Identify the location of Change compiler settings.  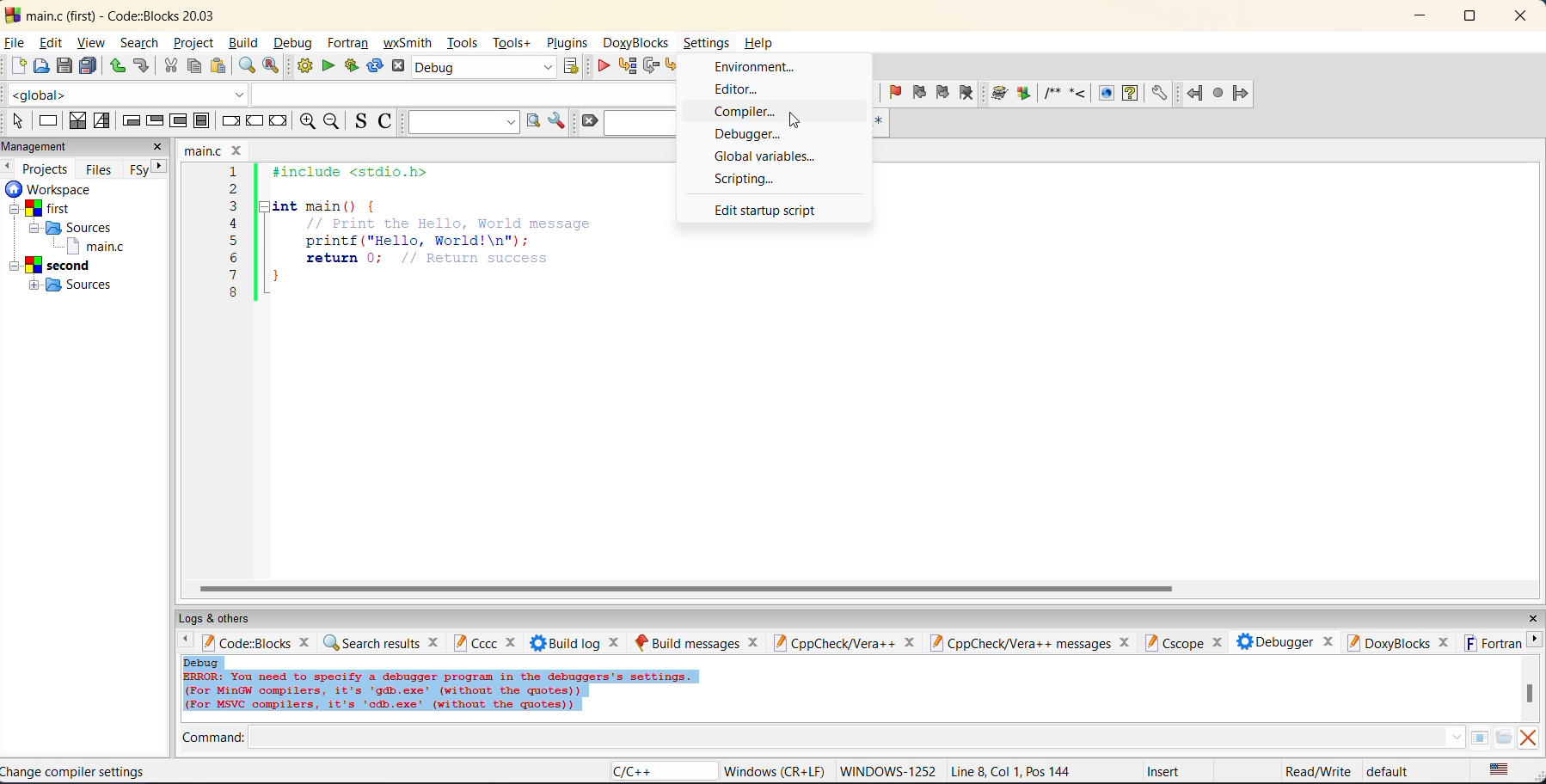
(114, 770).